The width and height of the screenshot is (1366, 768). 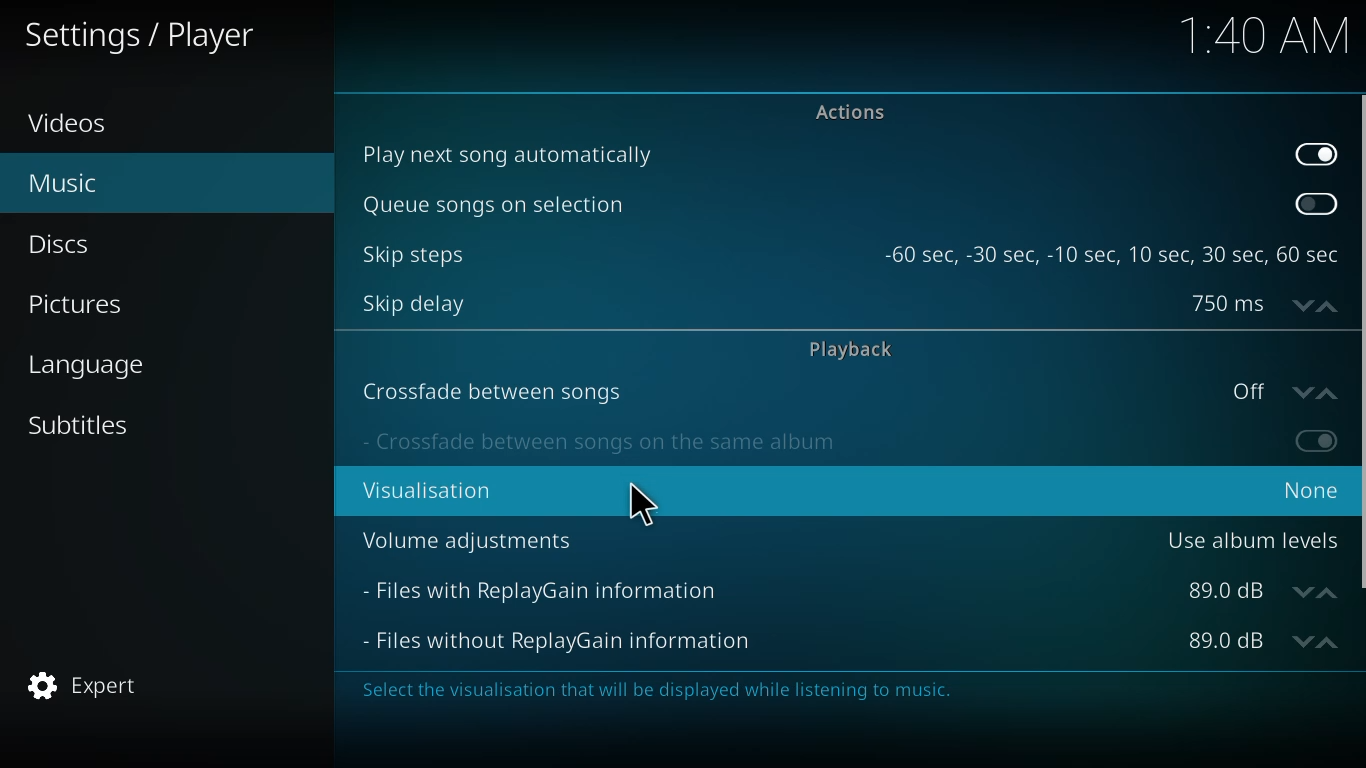 What do you see at coordinates (82, 686) in the screenshot?
I see `expert` at bounding box center [82, 686].